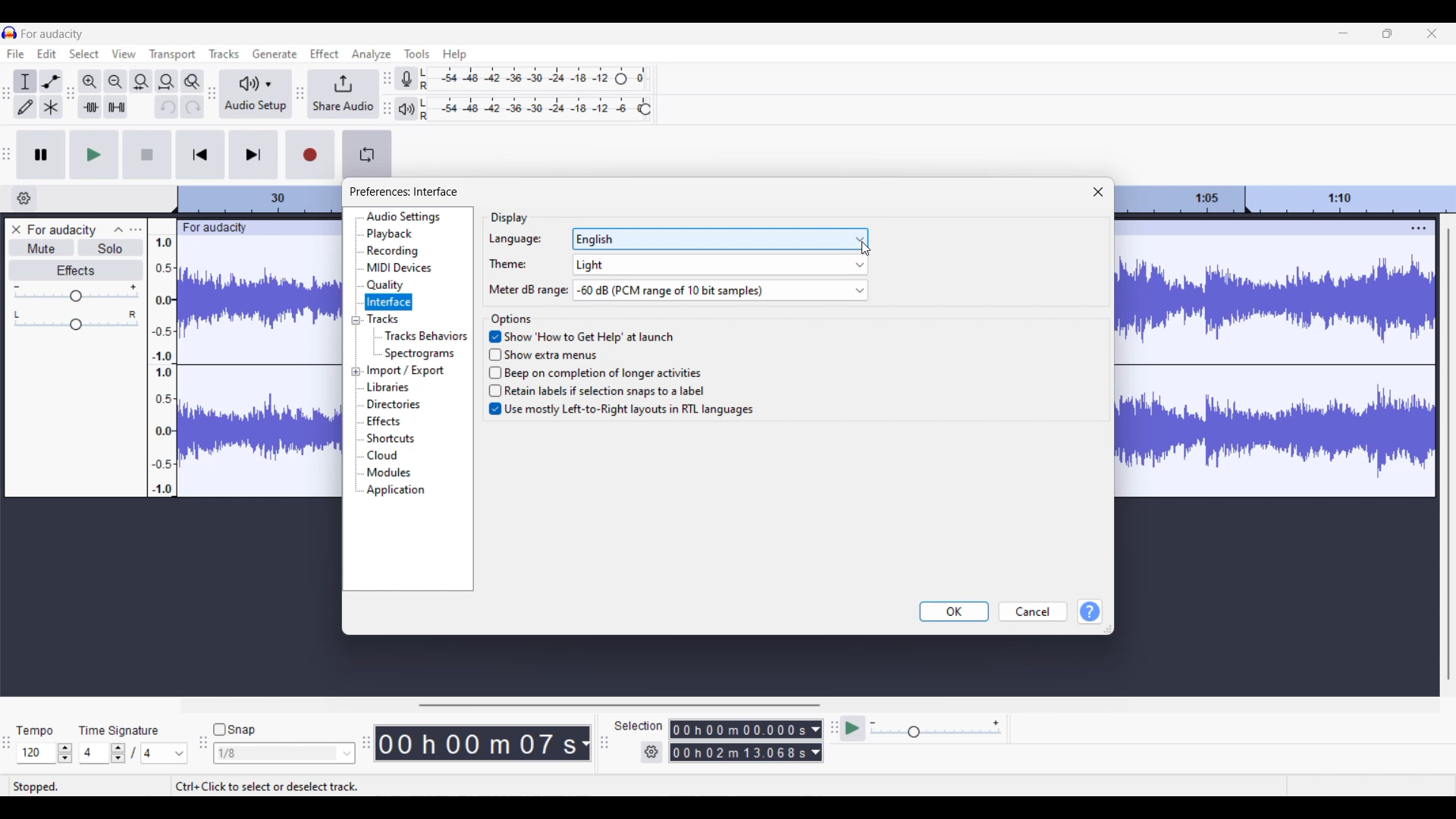 The image size is (1456, 819). Describe the element at coordinates (619, 705) in the screenshot. I see `Horizontal slide bar` at that location.